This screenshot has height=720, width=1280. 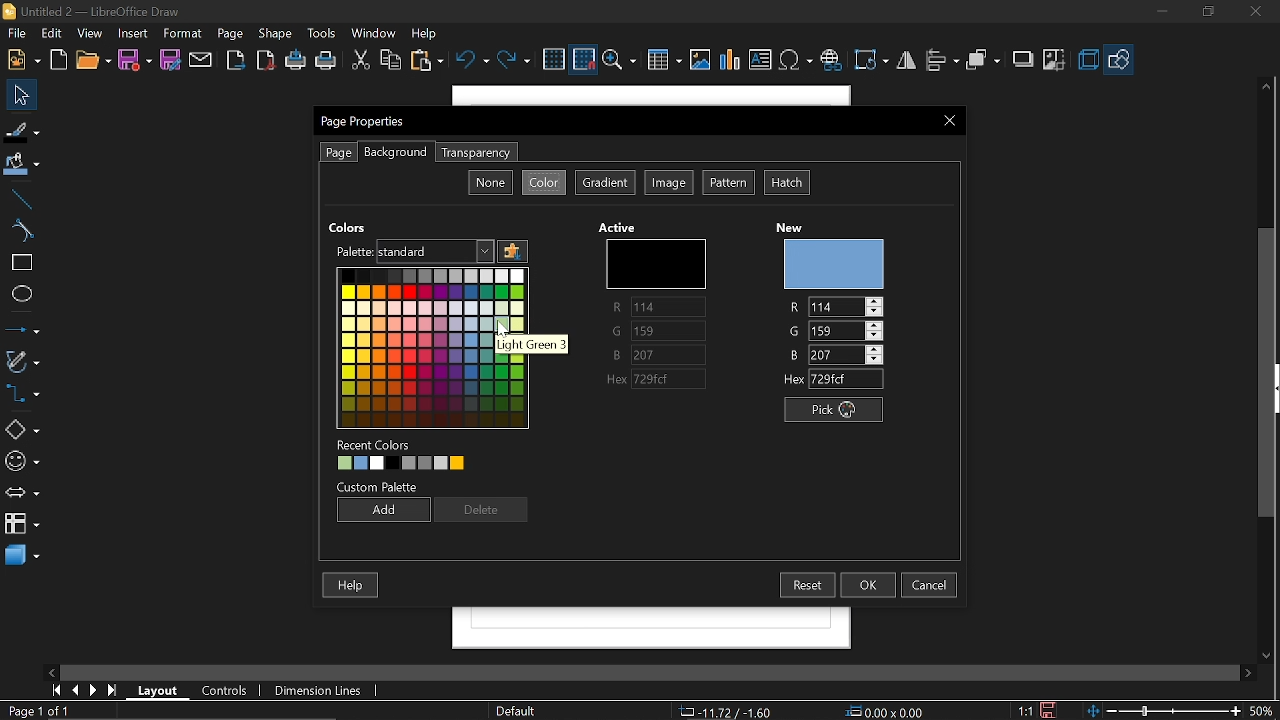 I want to click on Line, so click(x=19, y=200).